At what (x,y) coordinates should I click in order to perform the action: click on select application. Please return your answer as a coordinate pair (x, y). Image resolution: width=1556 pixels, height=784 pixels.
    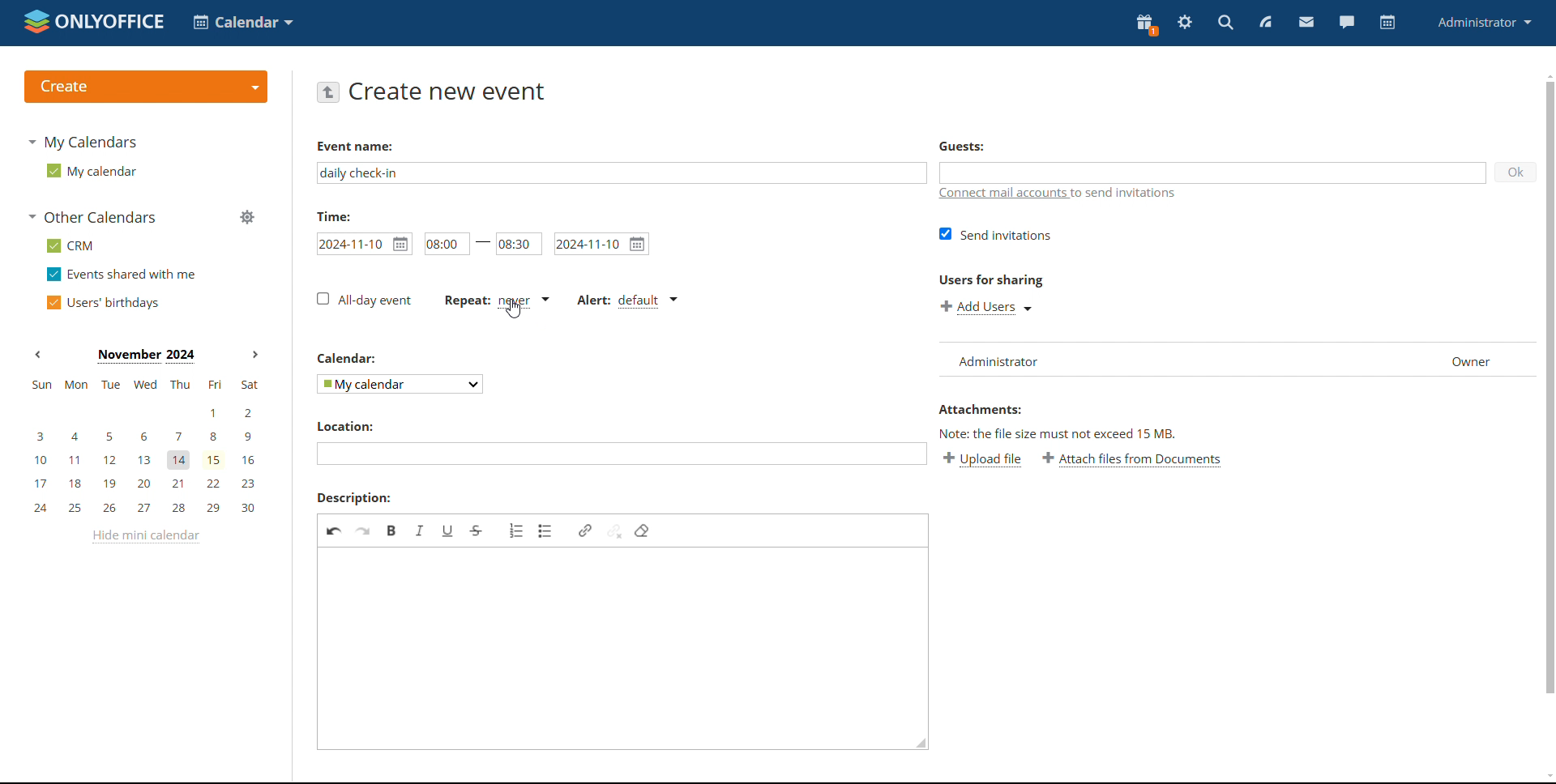
    Looking at the image, I should click on (243, 23).